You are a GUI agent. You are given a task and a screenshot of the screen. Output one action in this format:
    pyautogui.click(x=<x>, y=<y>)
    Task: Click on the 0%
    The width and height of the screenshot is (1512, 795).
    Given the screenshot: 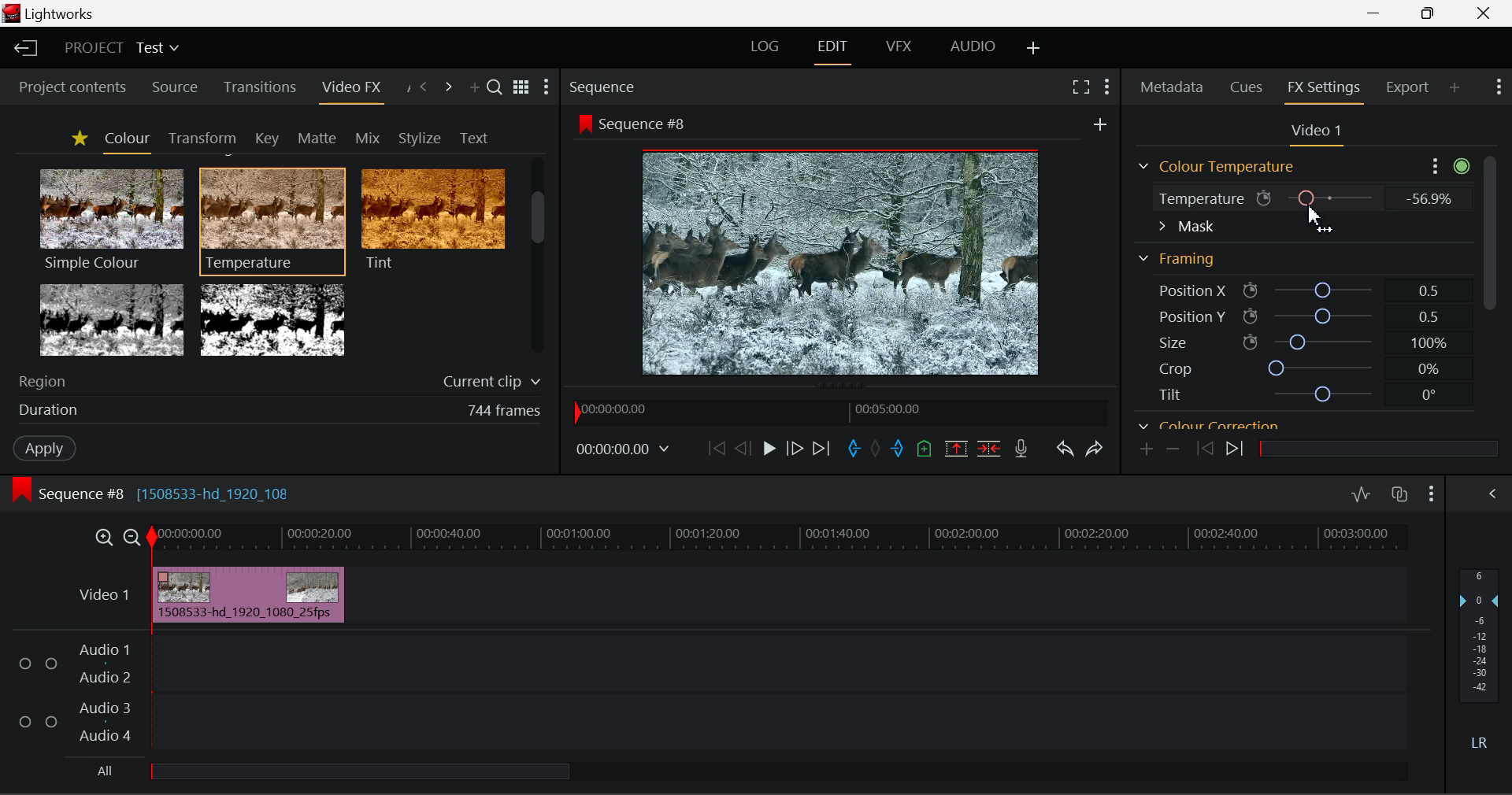 What is the action you would take?
    pyautogui.click(x=1427, y=369)
    